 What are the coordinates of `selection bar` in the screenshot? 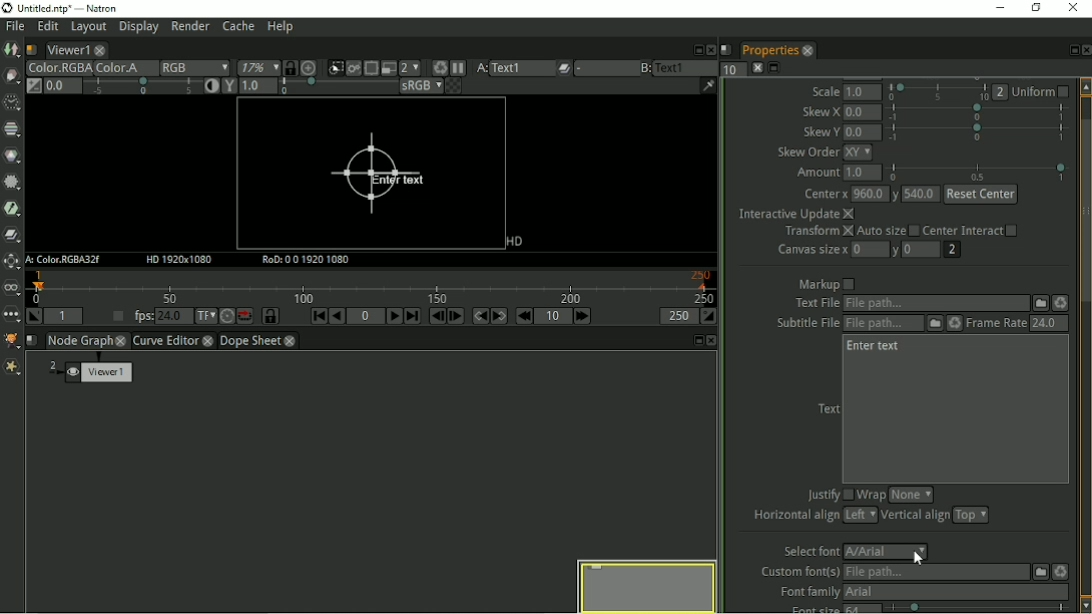 It's located at (977, 132).